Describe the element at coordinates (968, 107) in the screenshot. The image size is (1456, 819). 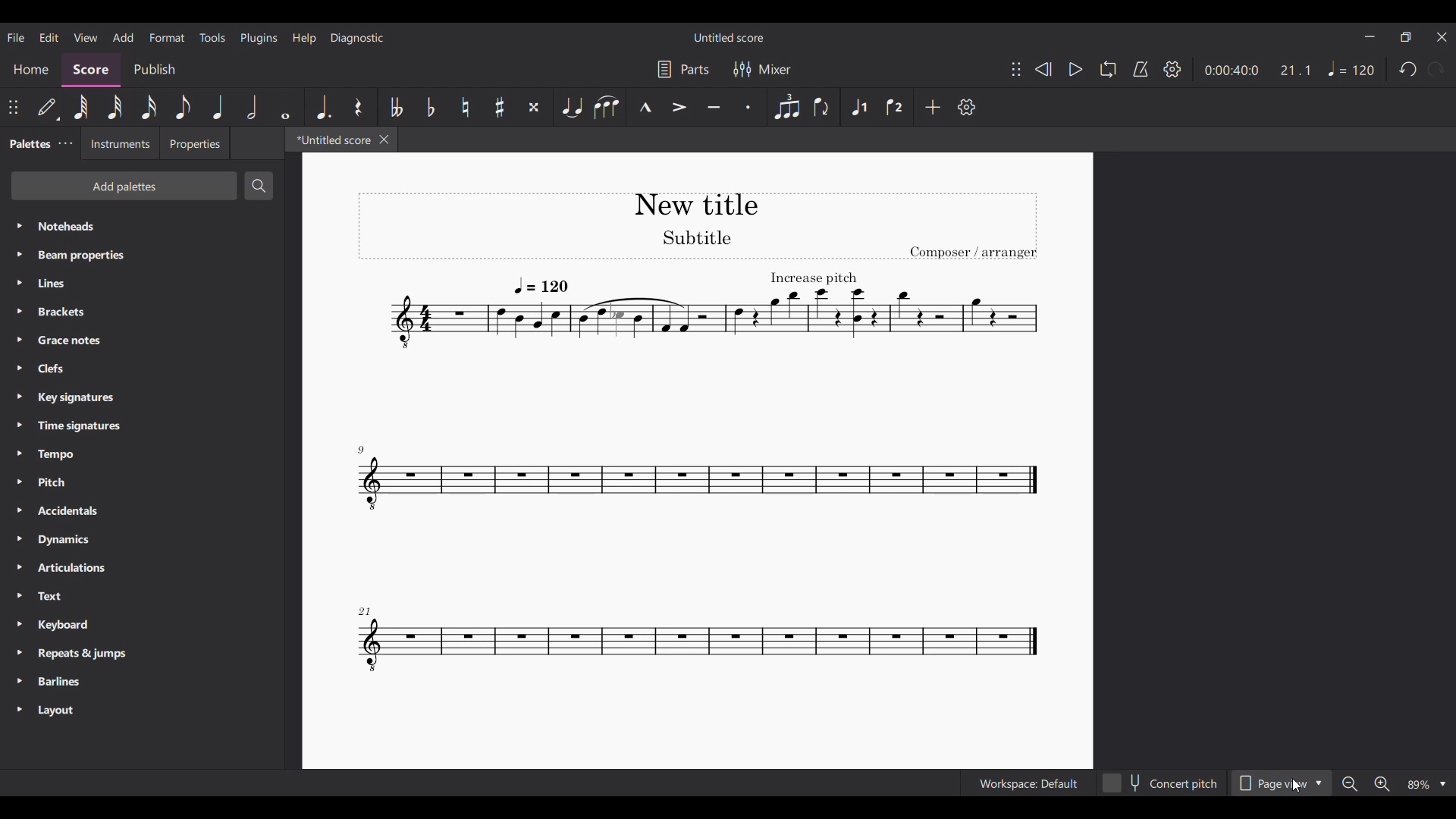
I see `Setting` at that location.